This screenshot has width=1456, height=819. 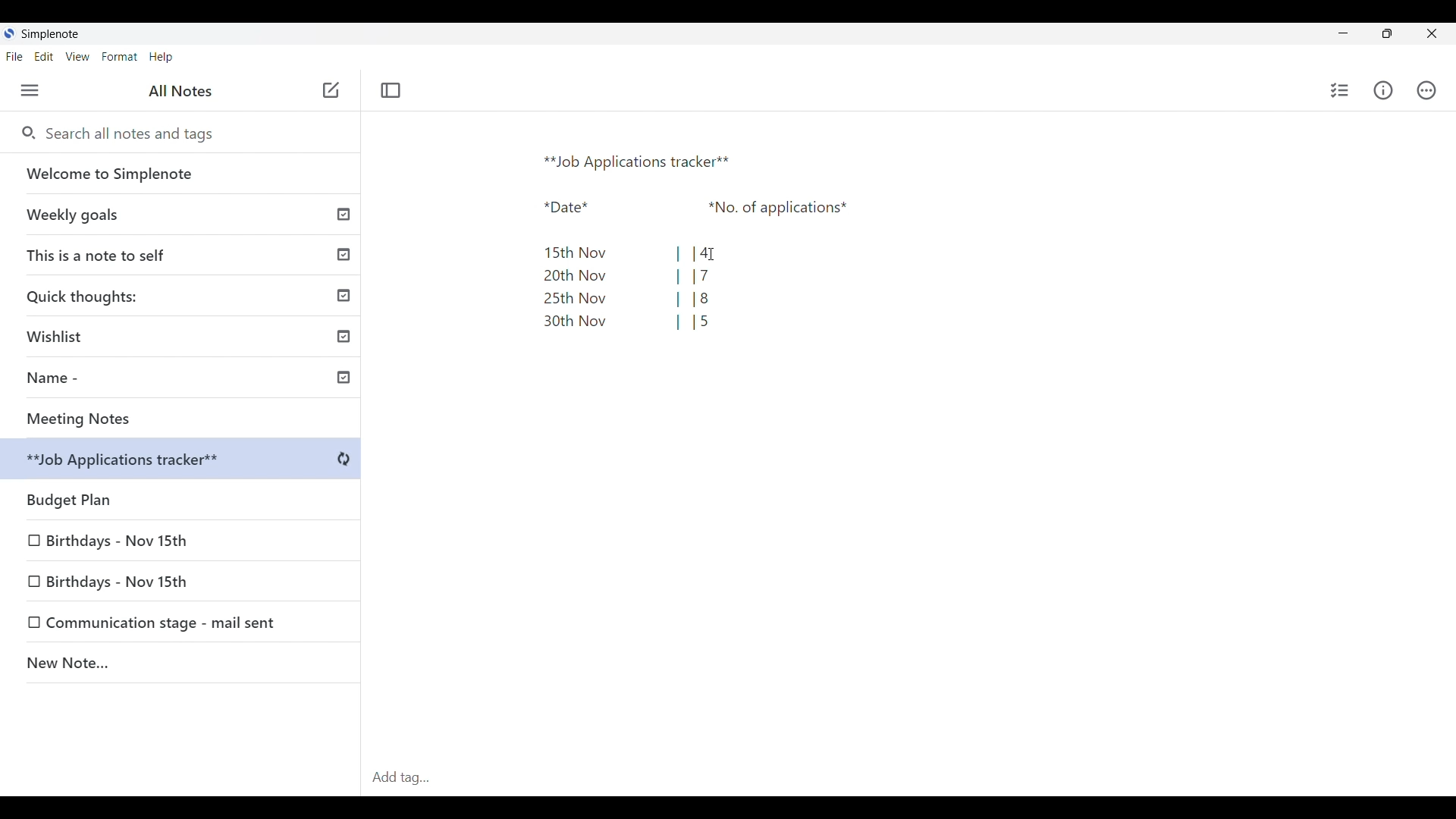 I want to click on File, so click(x=14, y=56).